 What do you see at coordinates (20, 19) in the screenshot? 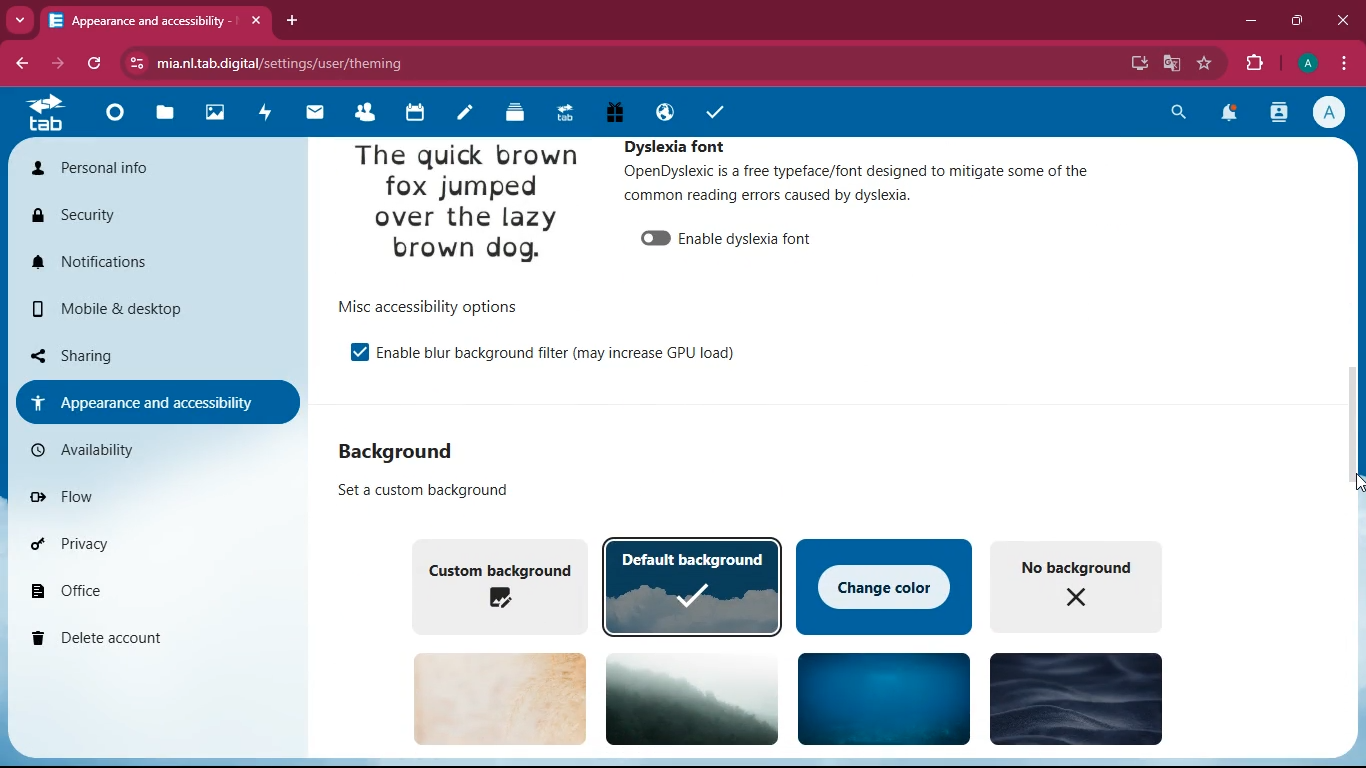
I see `more` at bounding box center [20, 19].